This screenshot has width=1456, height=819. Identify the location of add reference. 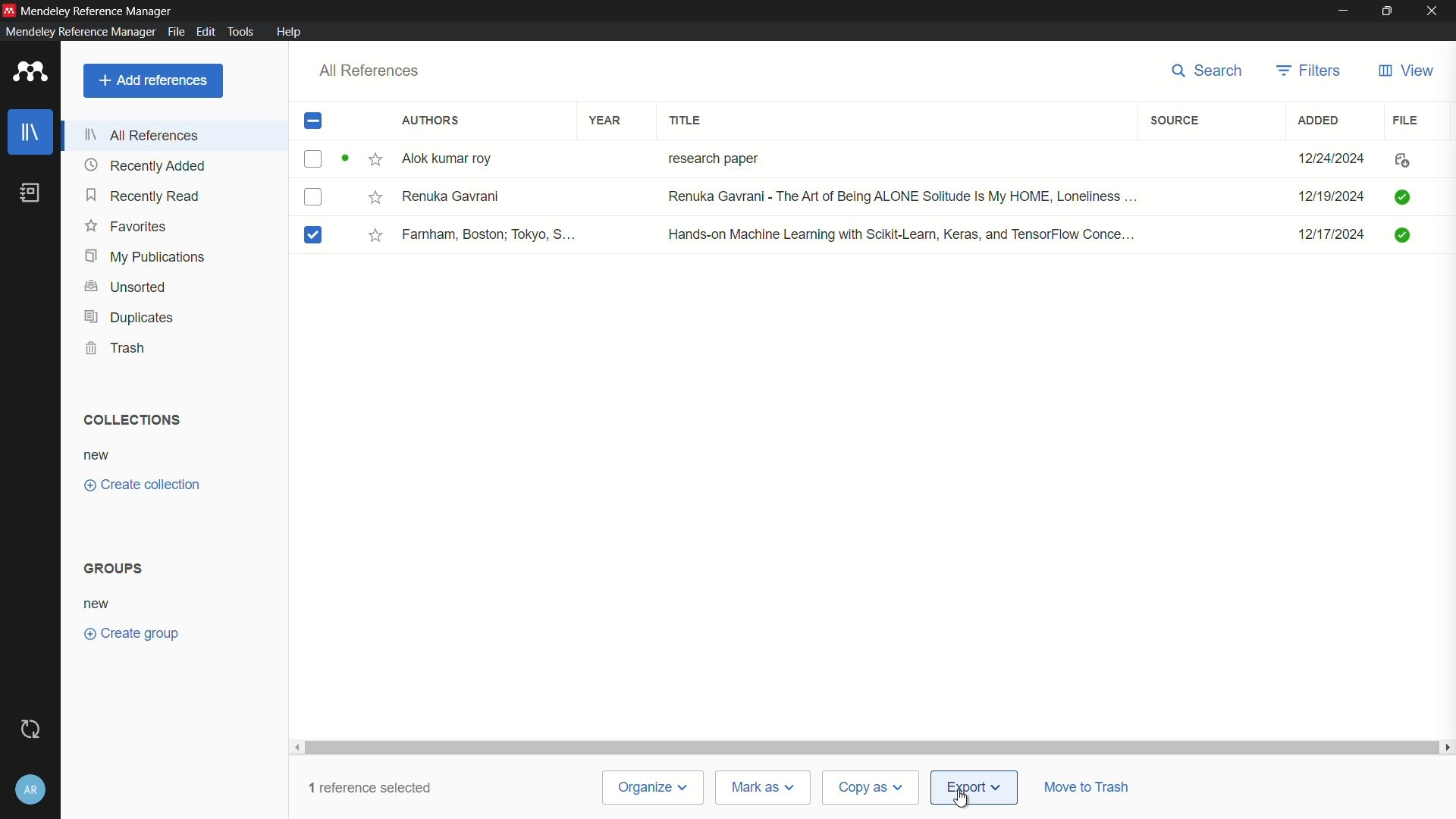
(153, 80).